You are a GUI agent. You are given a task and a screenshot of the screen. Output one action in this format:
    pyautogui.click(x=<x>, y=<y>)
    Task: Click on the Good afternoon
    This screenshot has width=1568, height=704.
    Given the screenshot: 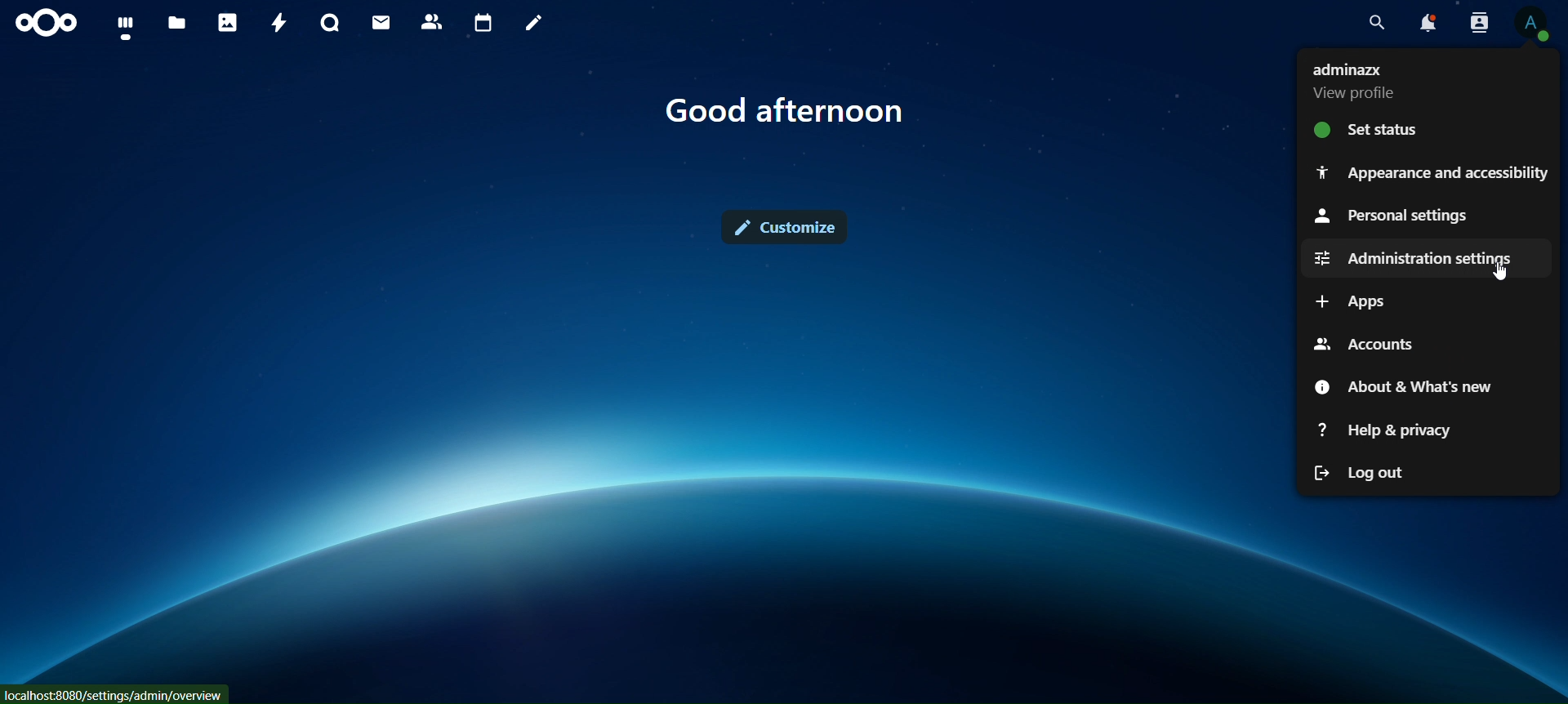 What is the action you would take?
    pyautogui.click(x=793, y=112)
    